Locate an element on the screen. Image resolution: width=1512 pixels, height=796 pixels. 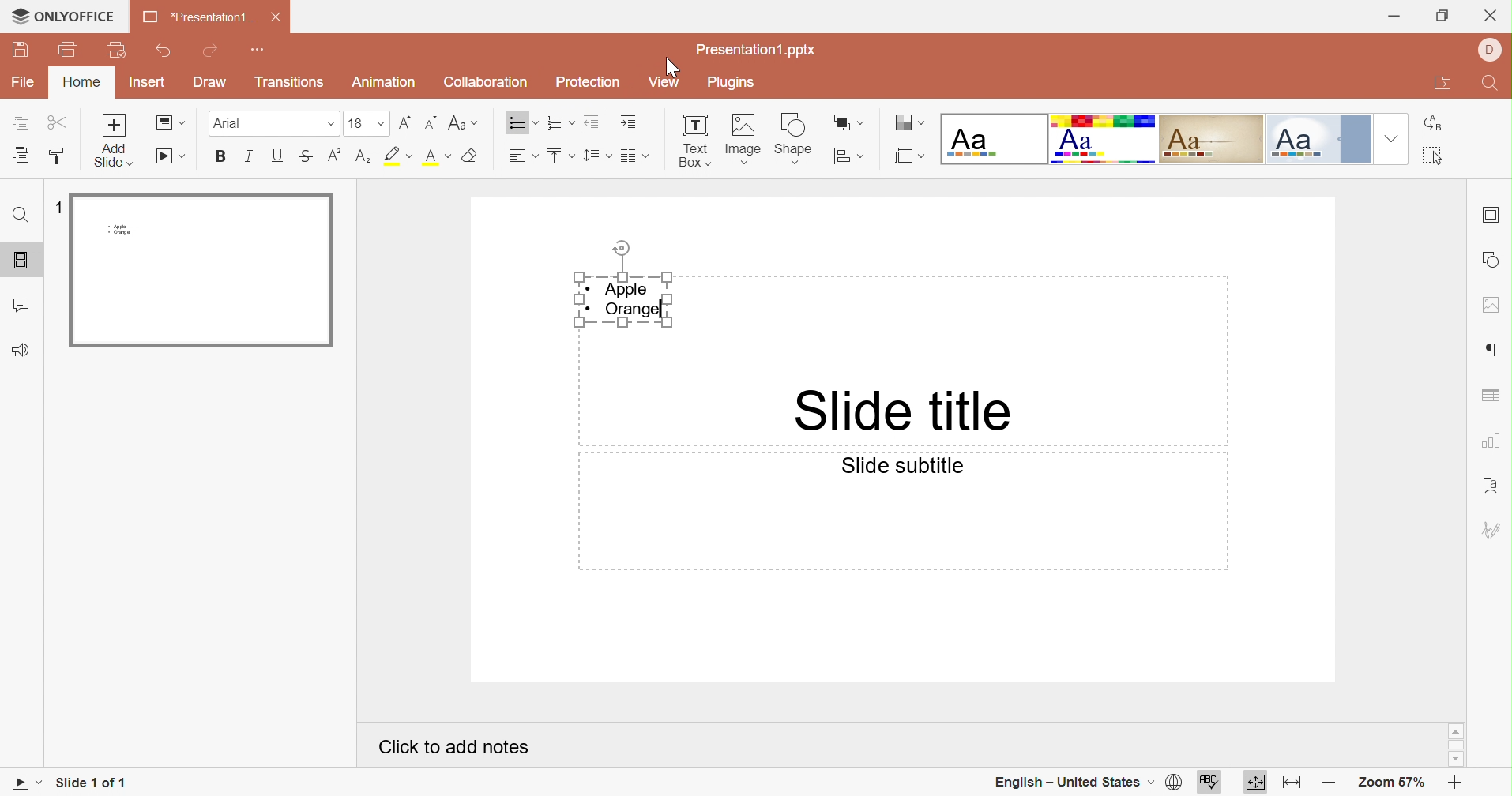
Apple is located at coordinates (629, 289).